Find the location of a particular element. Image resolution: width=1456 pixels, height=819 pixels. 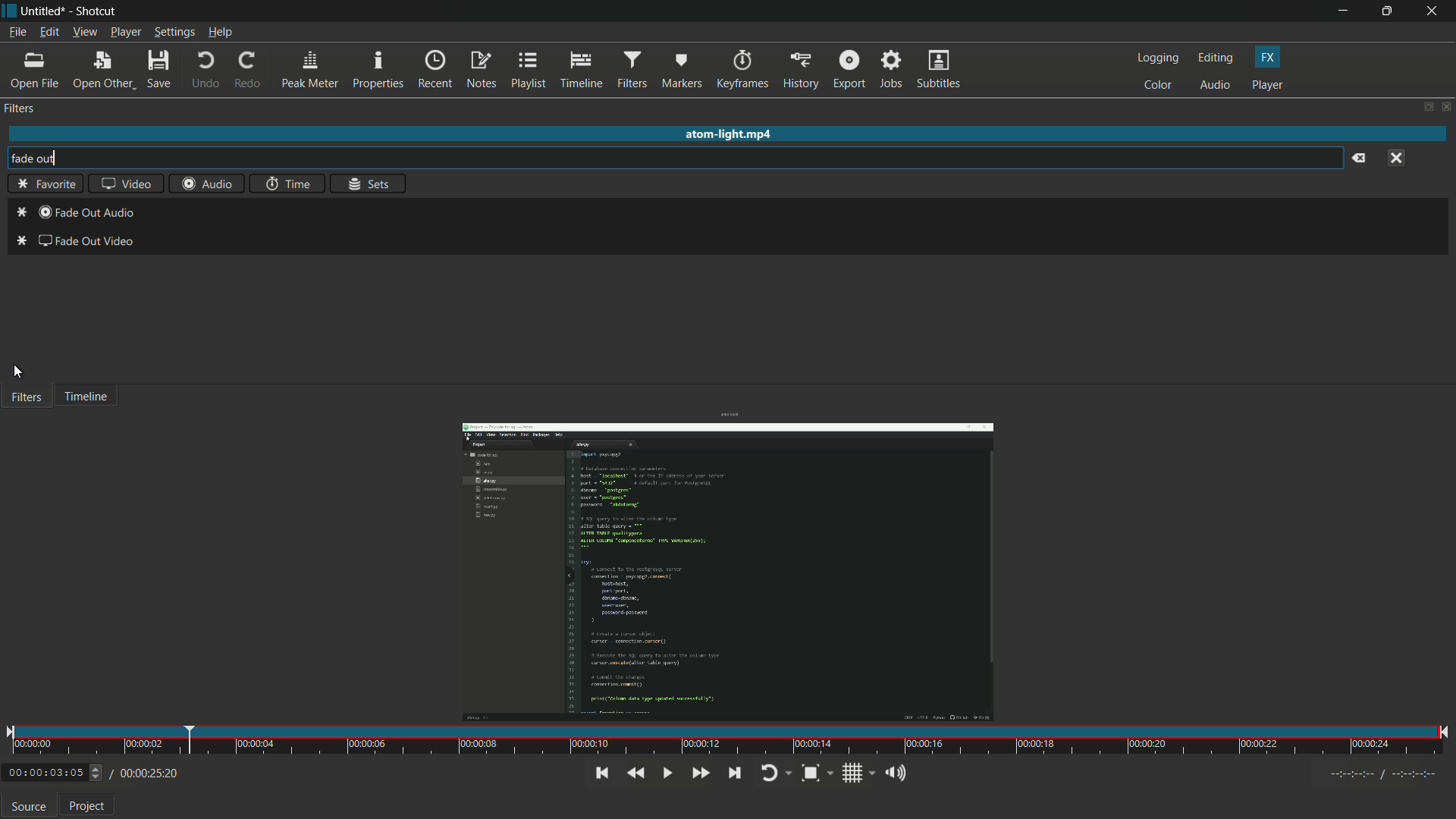

view menu is located at coordinates (84, 33).